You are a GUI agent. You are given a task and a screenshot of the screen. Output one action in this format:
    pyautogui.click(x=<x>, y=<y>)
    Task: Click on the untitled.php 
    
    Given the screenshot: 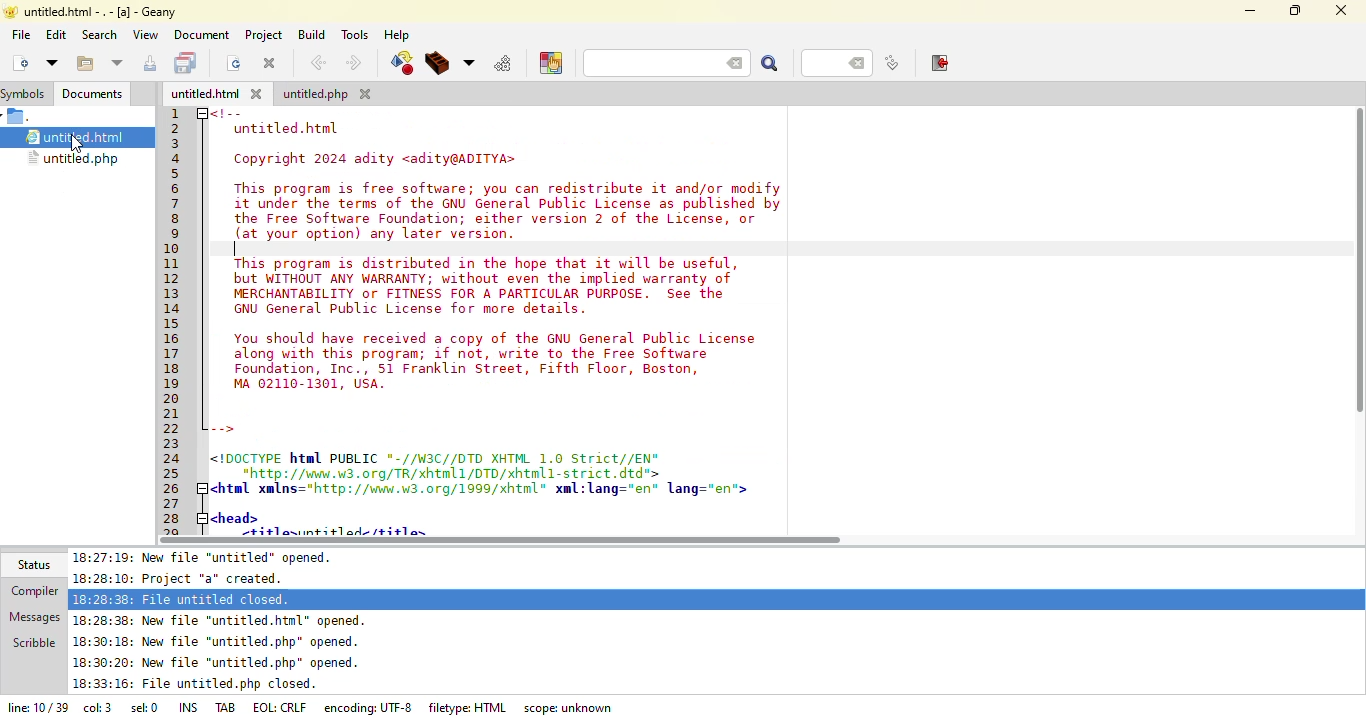 What is the action you would take?
    pyautogui.click(x=327, y=94)
    